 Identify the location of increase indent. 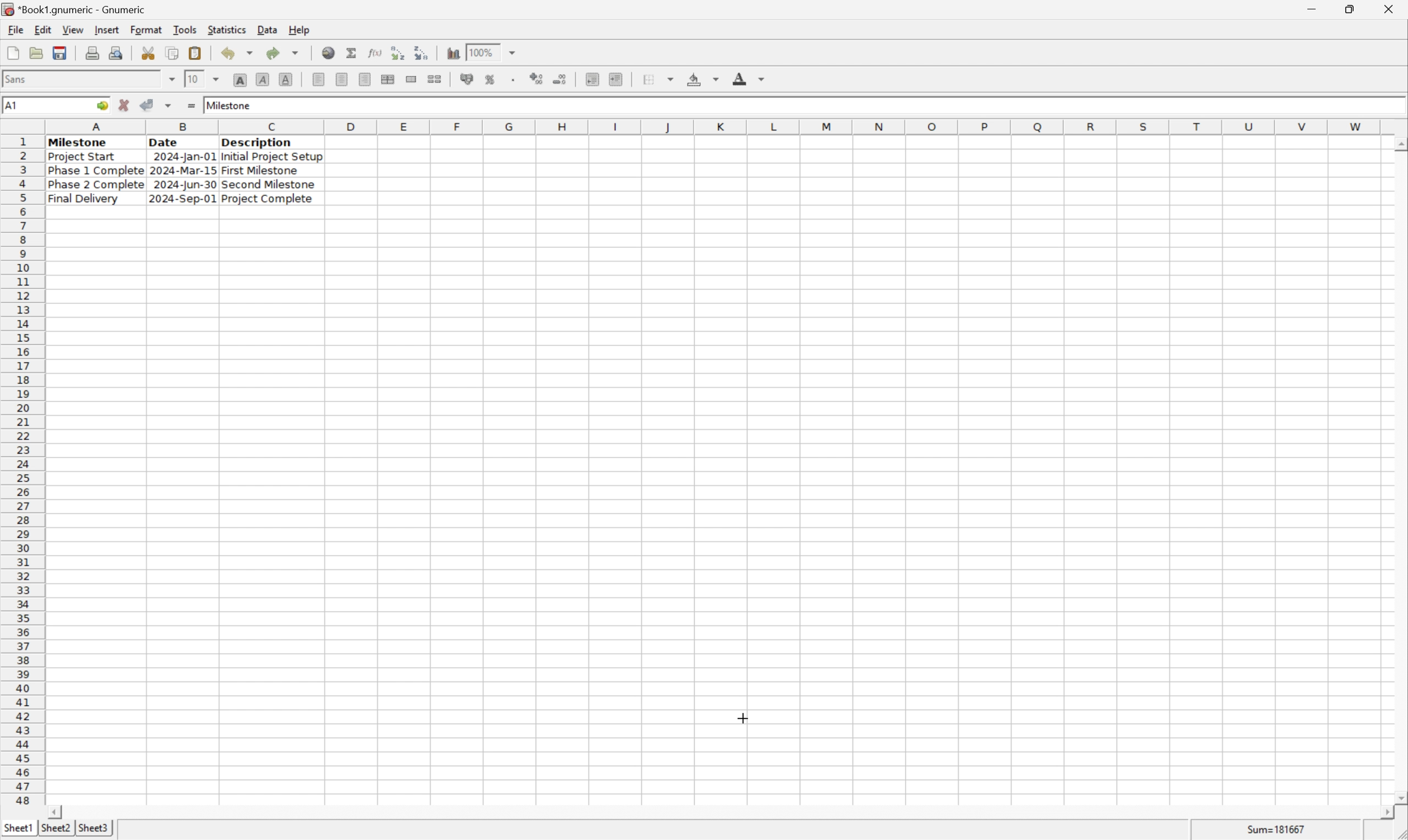
(619, 79).